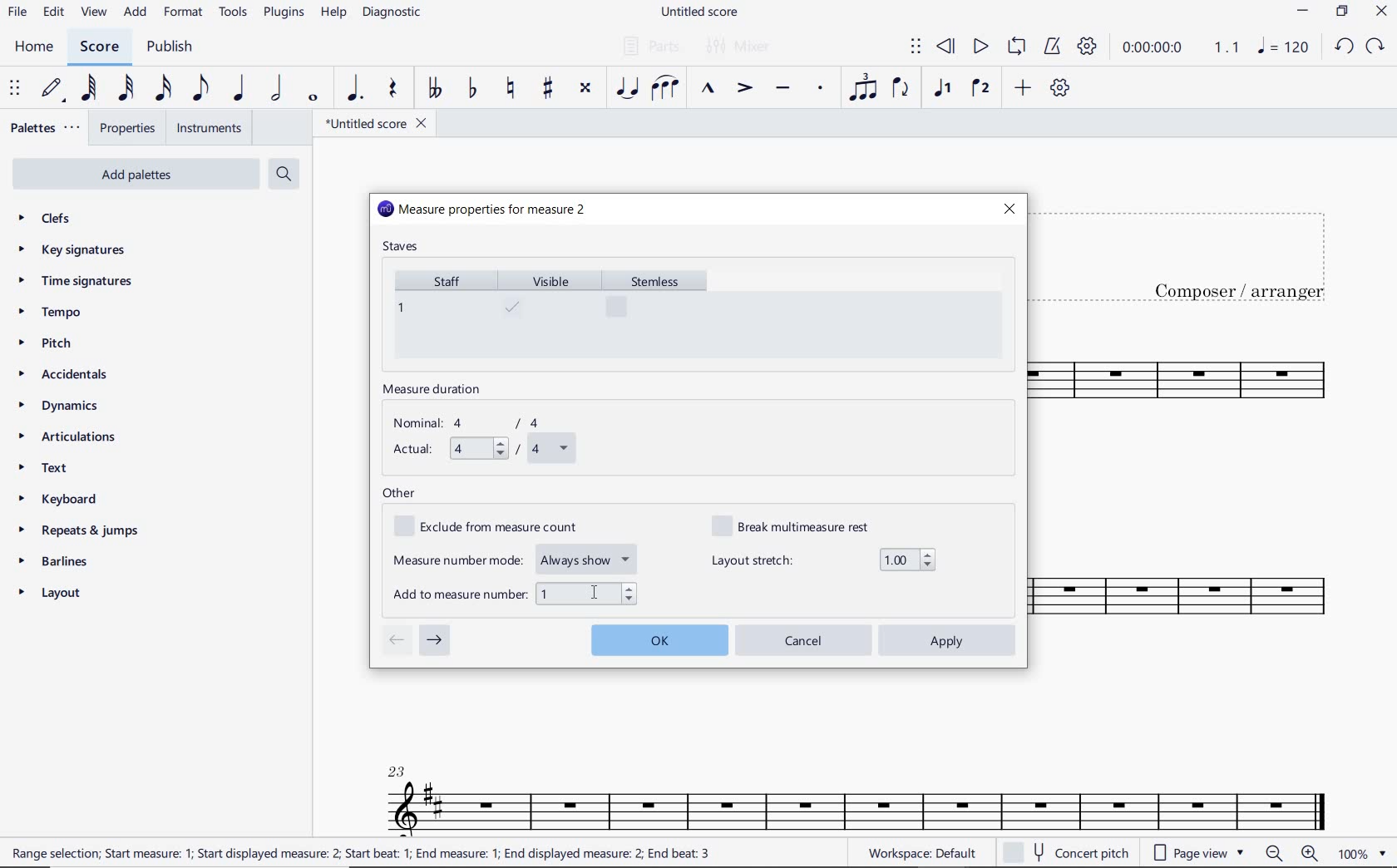 The width and height of the screenshot is (1397, 868). I want to click on UNDO, so click(1343, 47).